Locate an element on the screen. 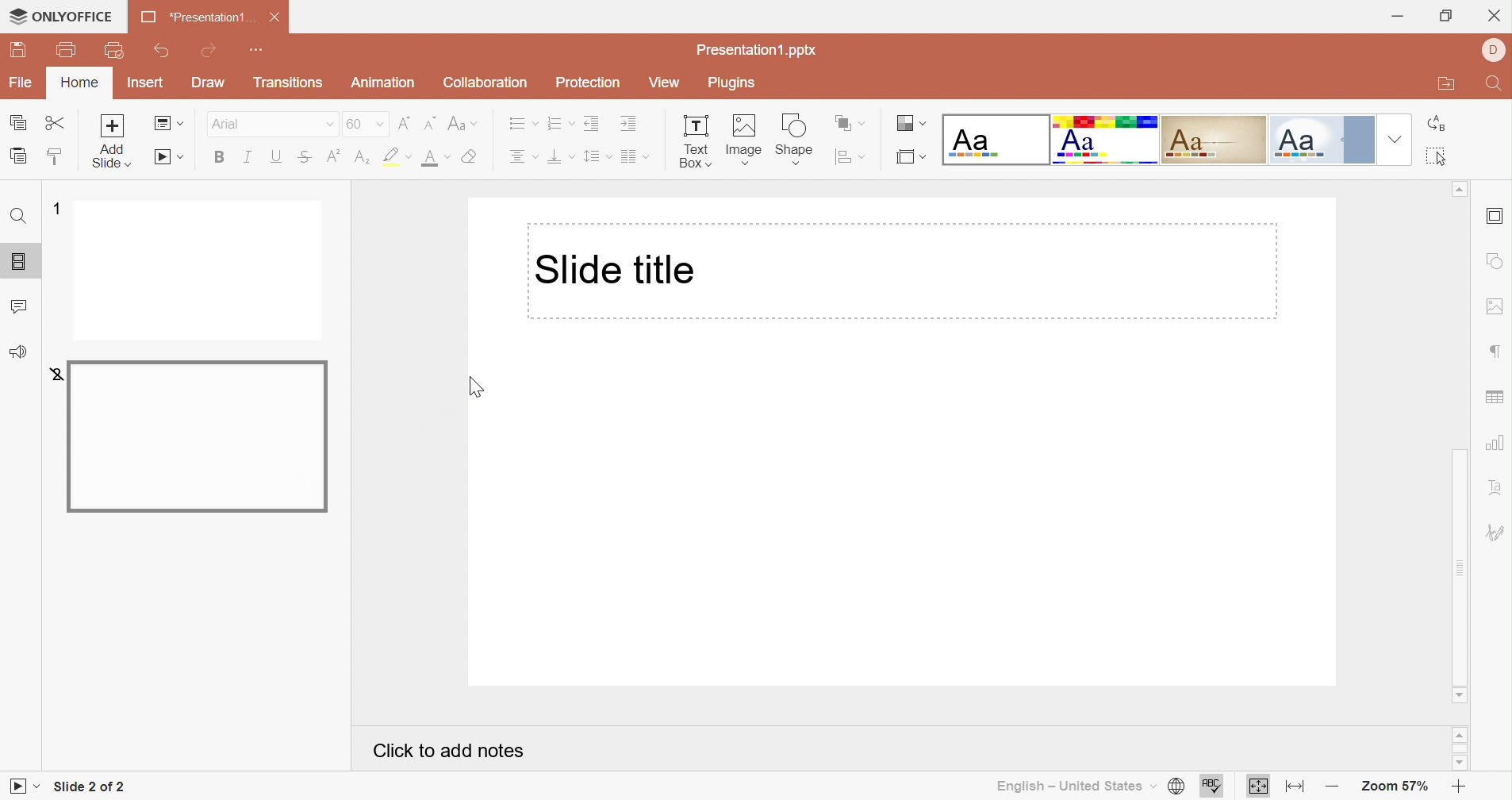 The height and width of the screenshot is (800, 1512). Image settings is located at coordinates (1498, 308).